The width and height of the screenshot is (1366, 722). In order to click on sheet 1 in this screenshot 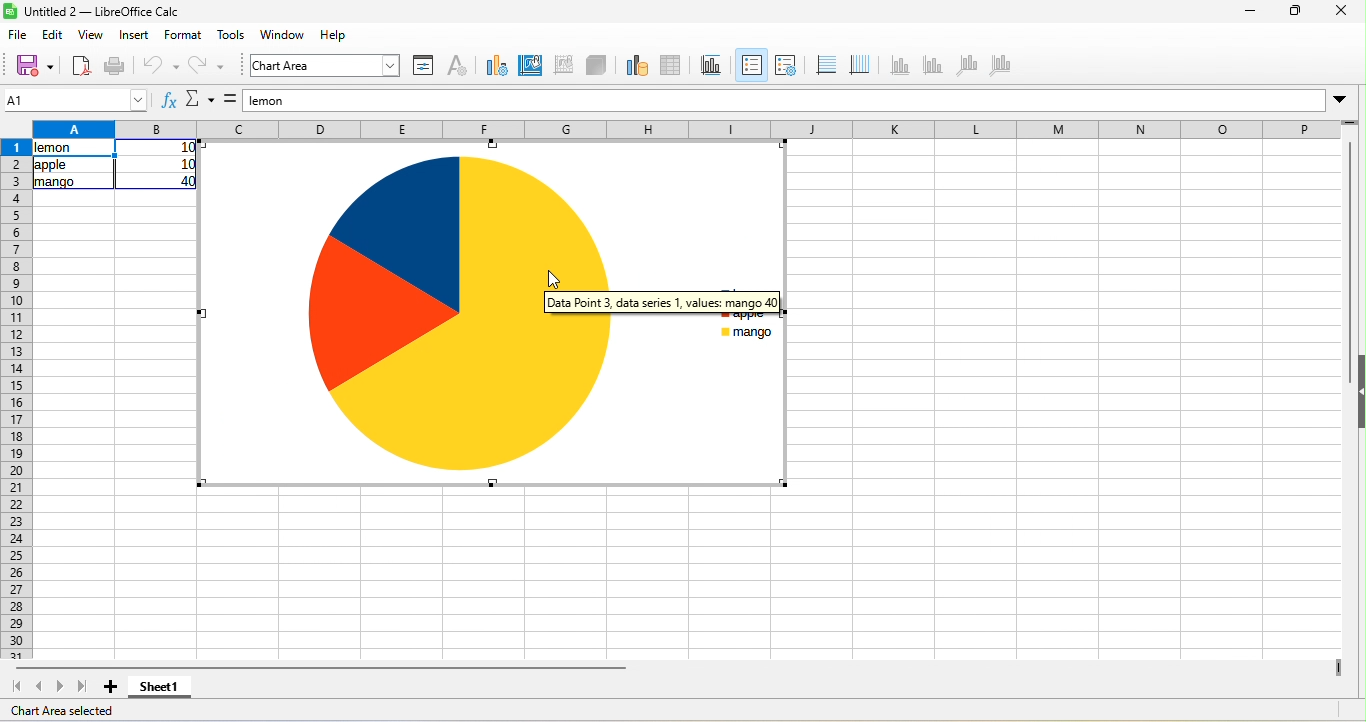, I will do `click(164, 688)`.